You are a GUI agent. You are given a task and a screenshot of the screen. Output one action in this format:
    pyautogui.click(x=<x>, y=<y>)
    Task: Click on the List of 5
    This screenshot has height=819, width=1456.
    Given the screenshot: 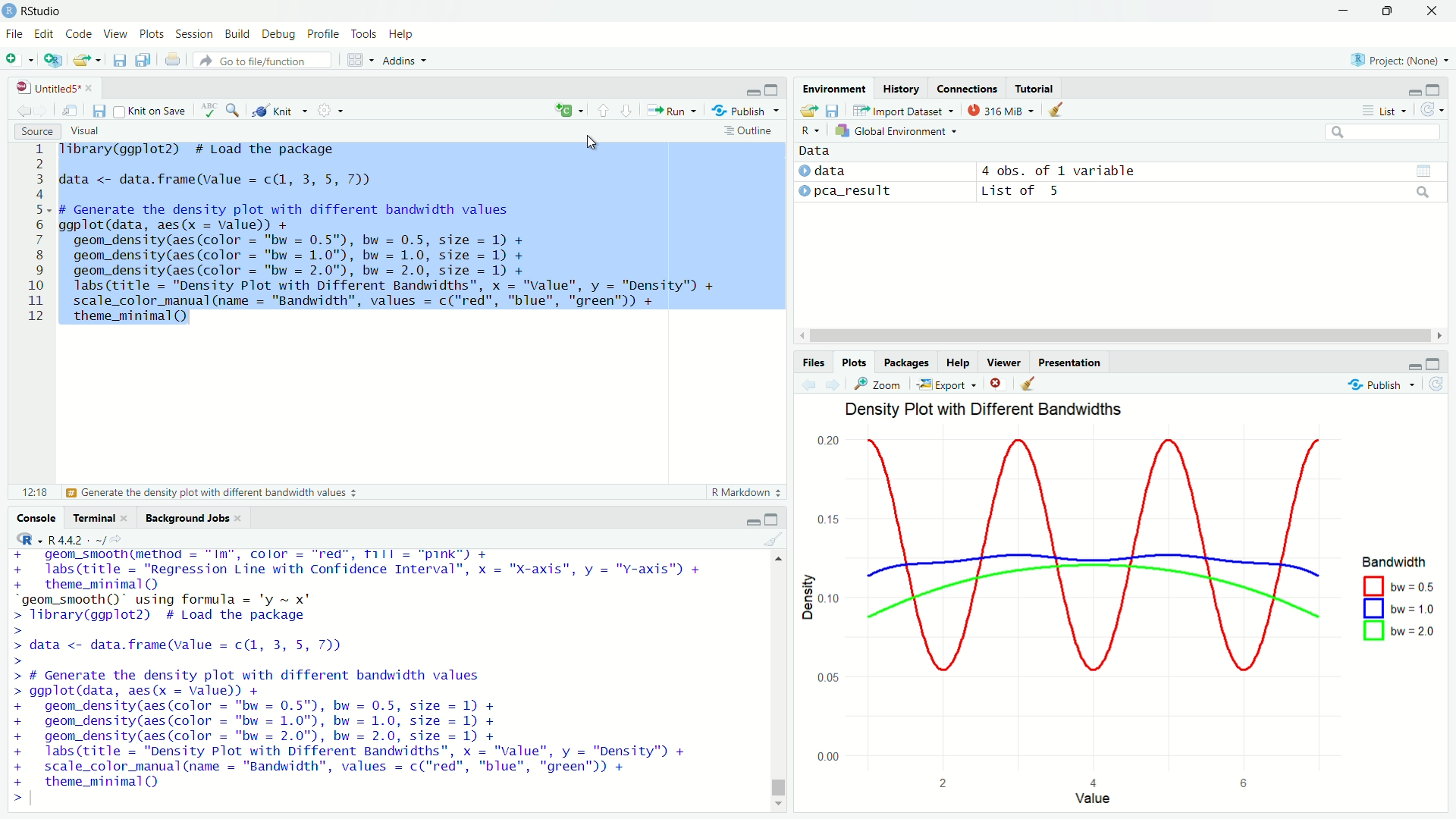 What is the action you would take?
    pyautogui.click(x=1023, y=192)
    